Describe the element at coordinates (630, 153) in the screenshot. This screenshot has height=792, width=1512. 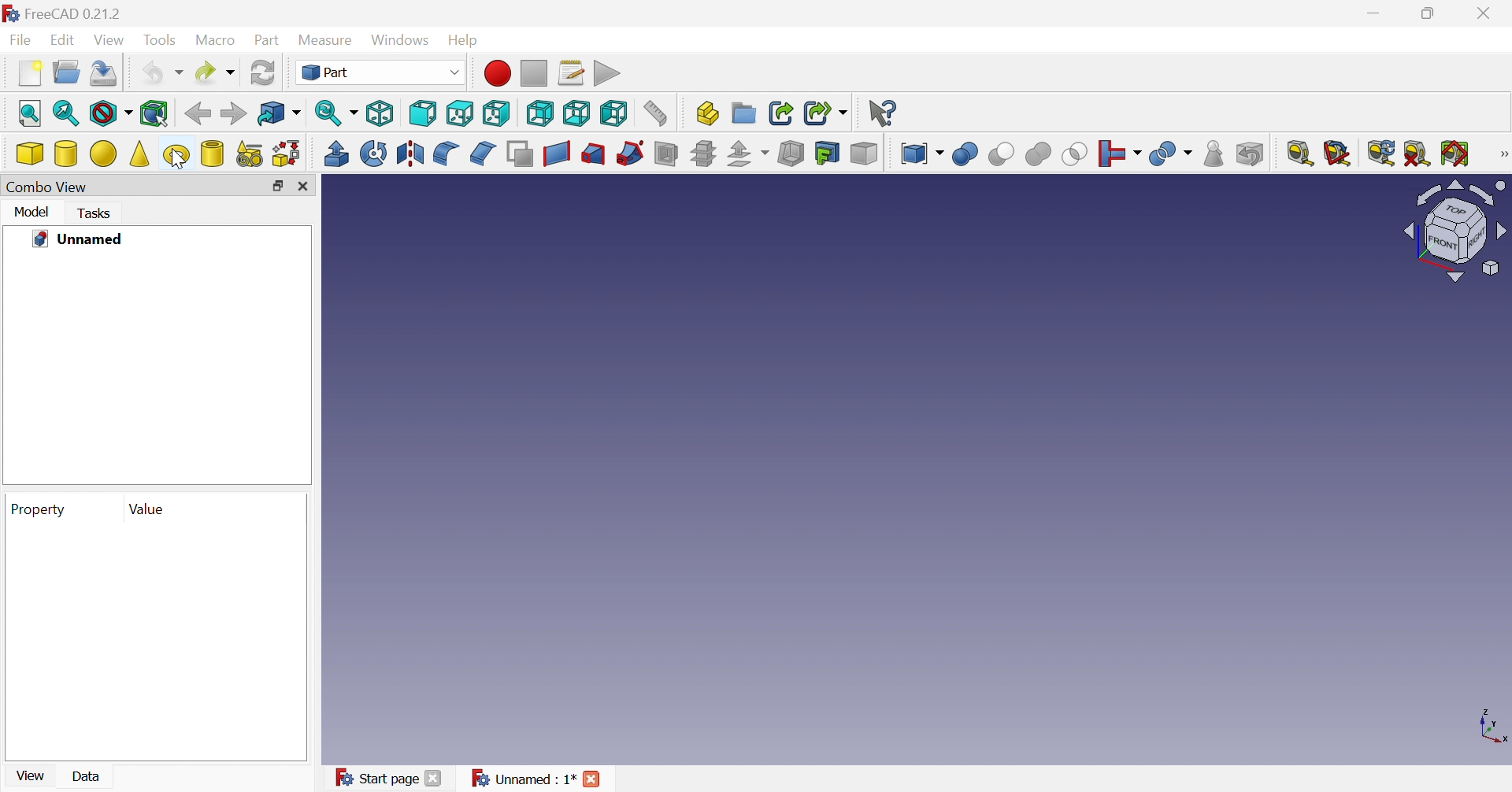
I see `Sweep...` at that location.